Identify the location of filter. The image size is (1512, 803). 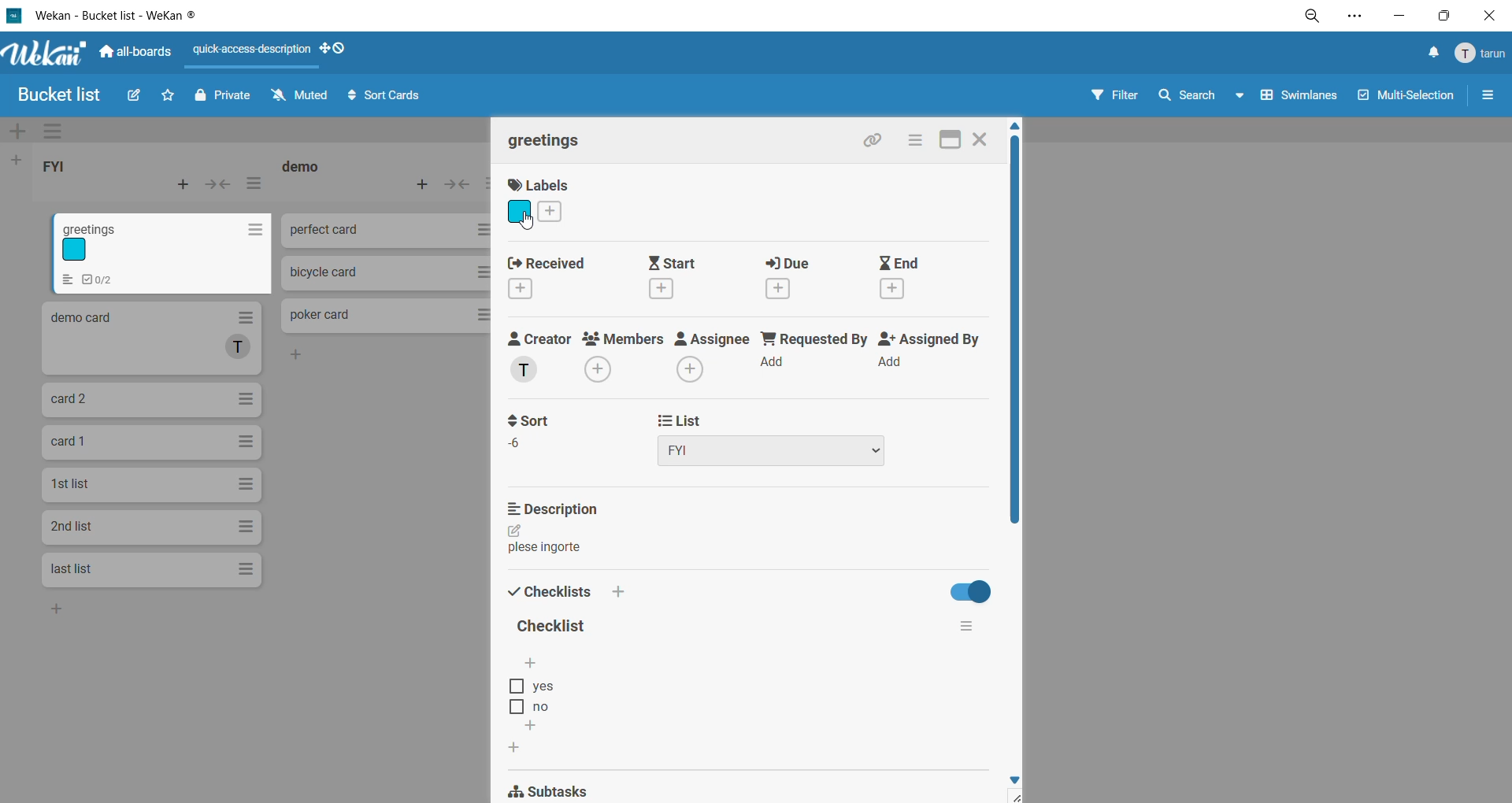
(1111, 96).